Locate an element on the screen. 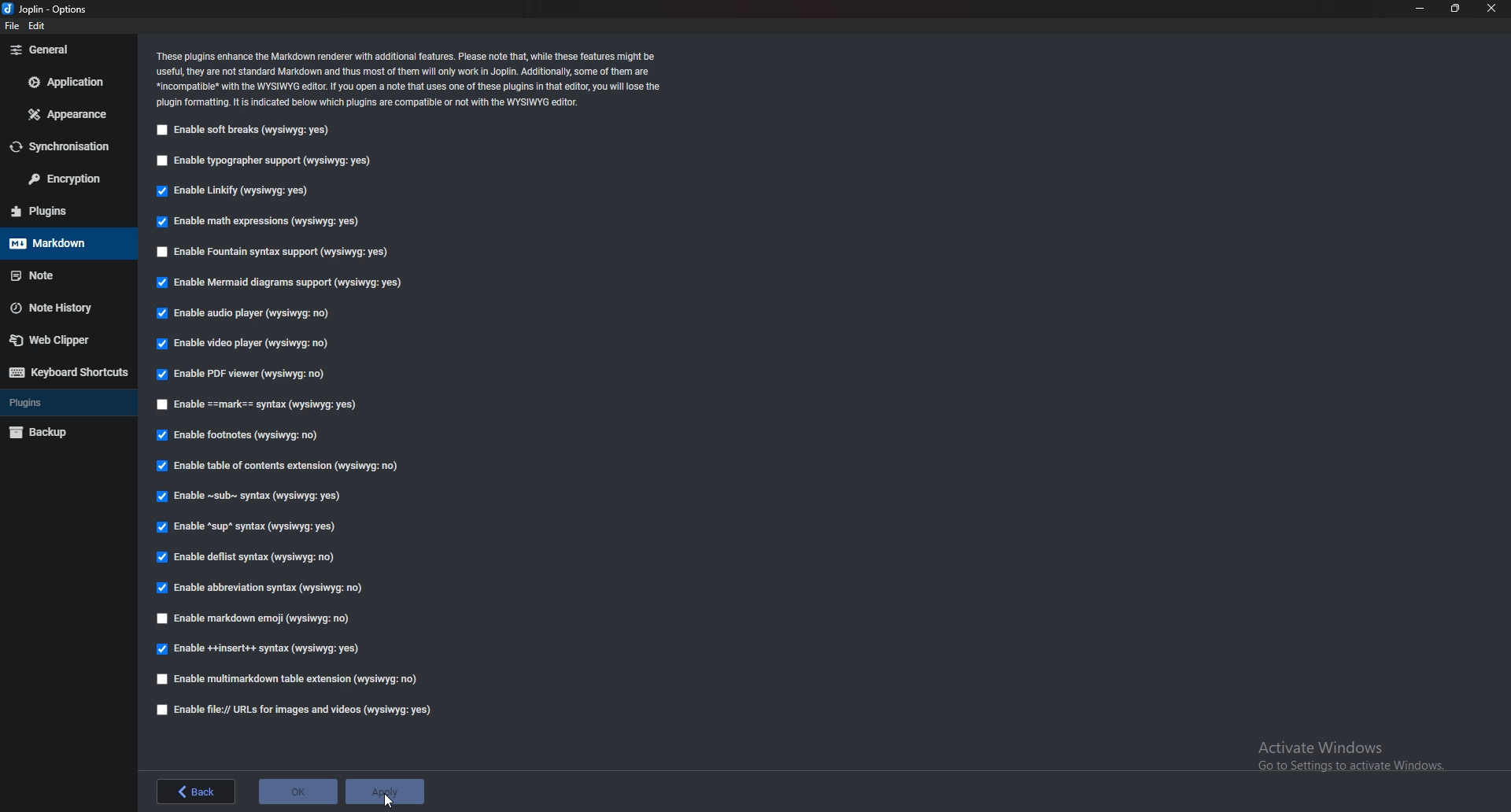  Enable table of contents is located at coordinates (282, 465).